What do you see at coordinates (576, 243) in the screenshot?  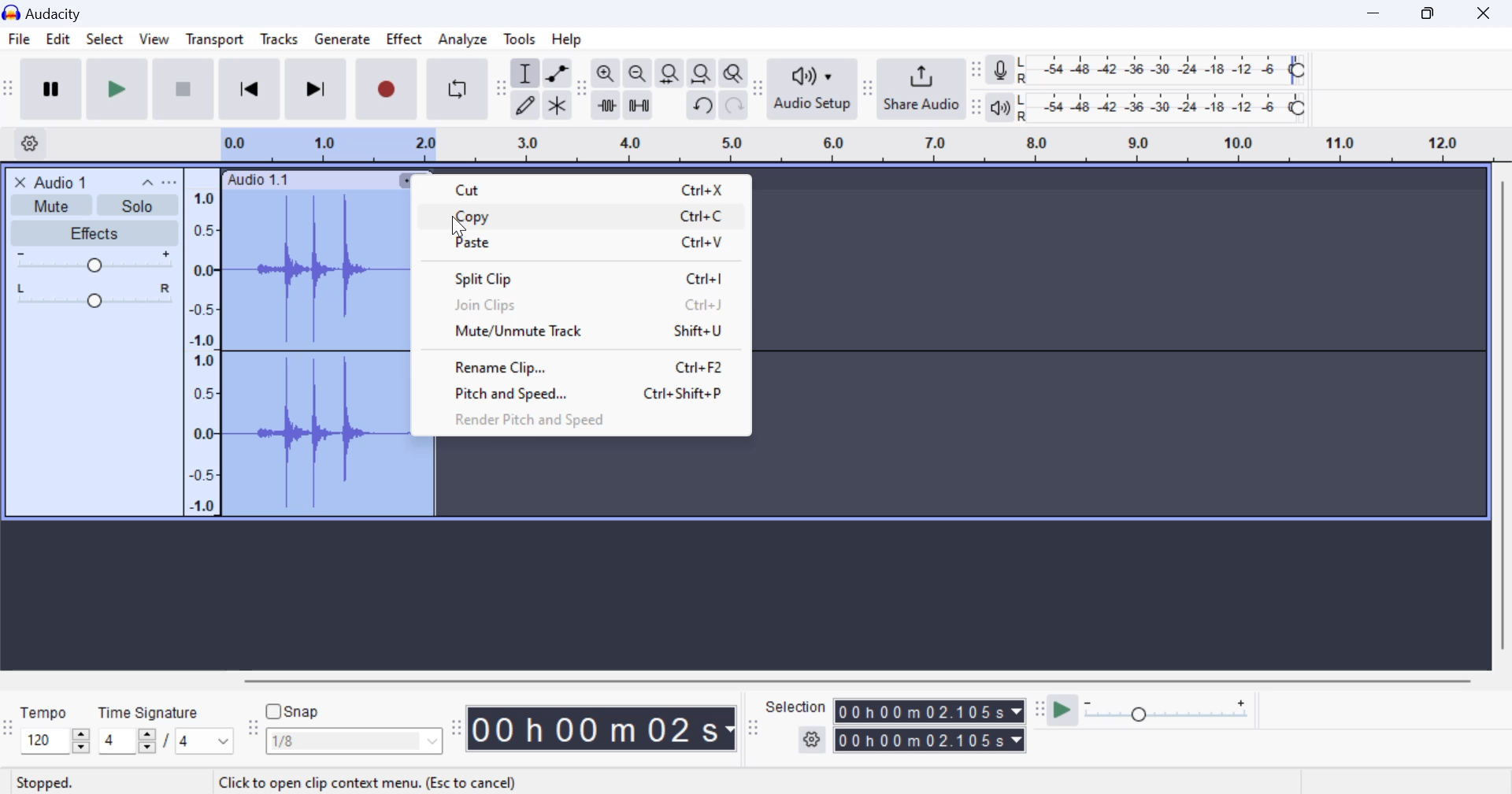 I see `Paste` at bounding box center [576, 243].